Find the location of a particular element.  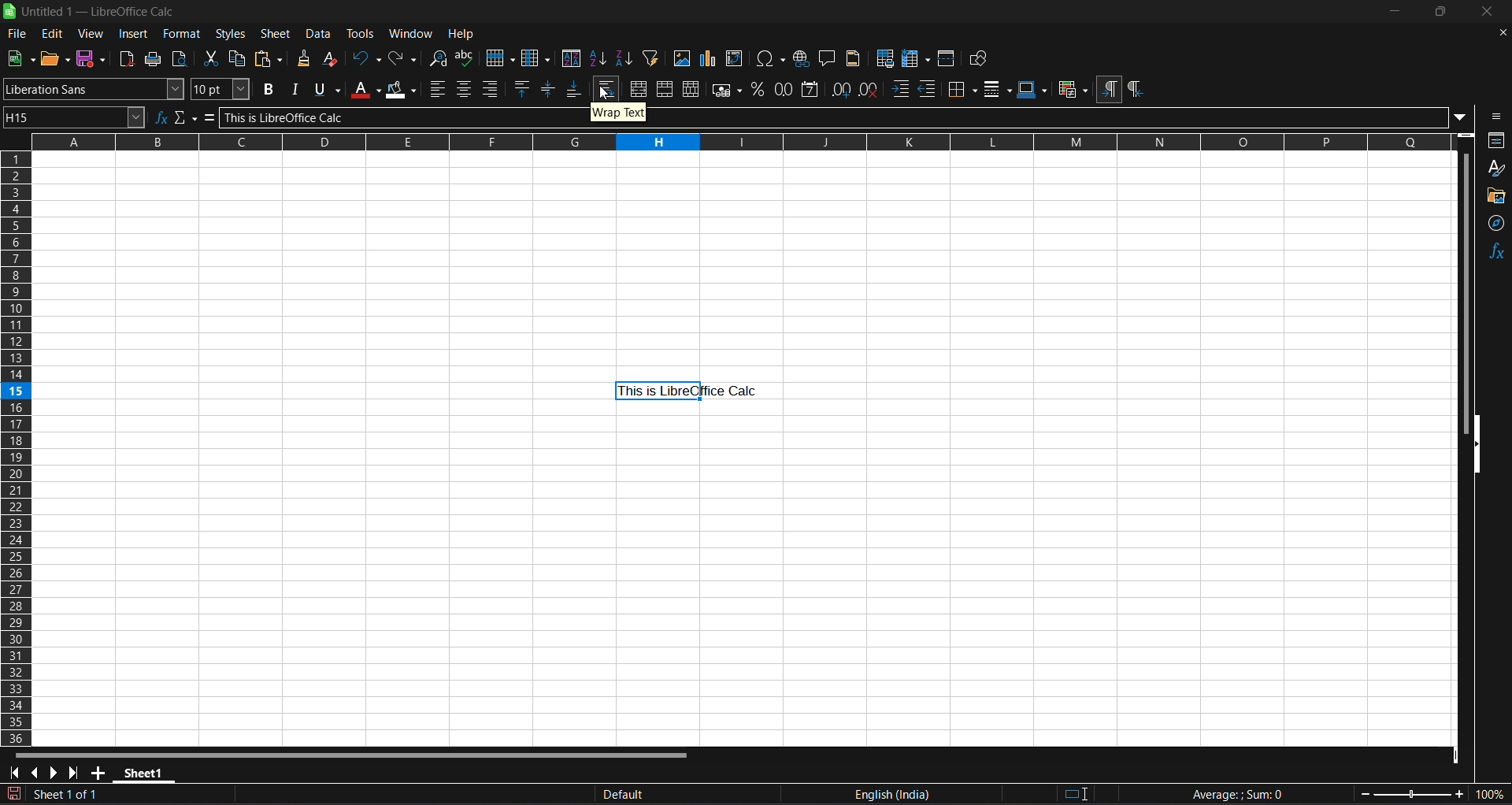

border color is located at coordinates (1033, 89).